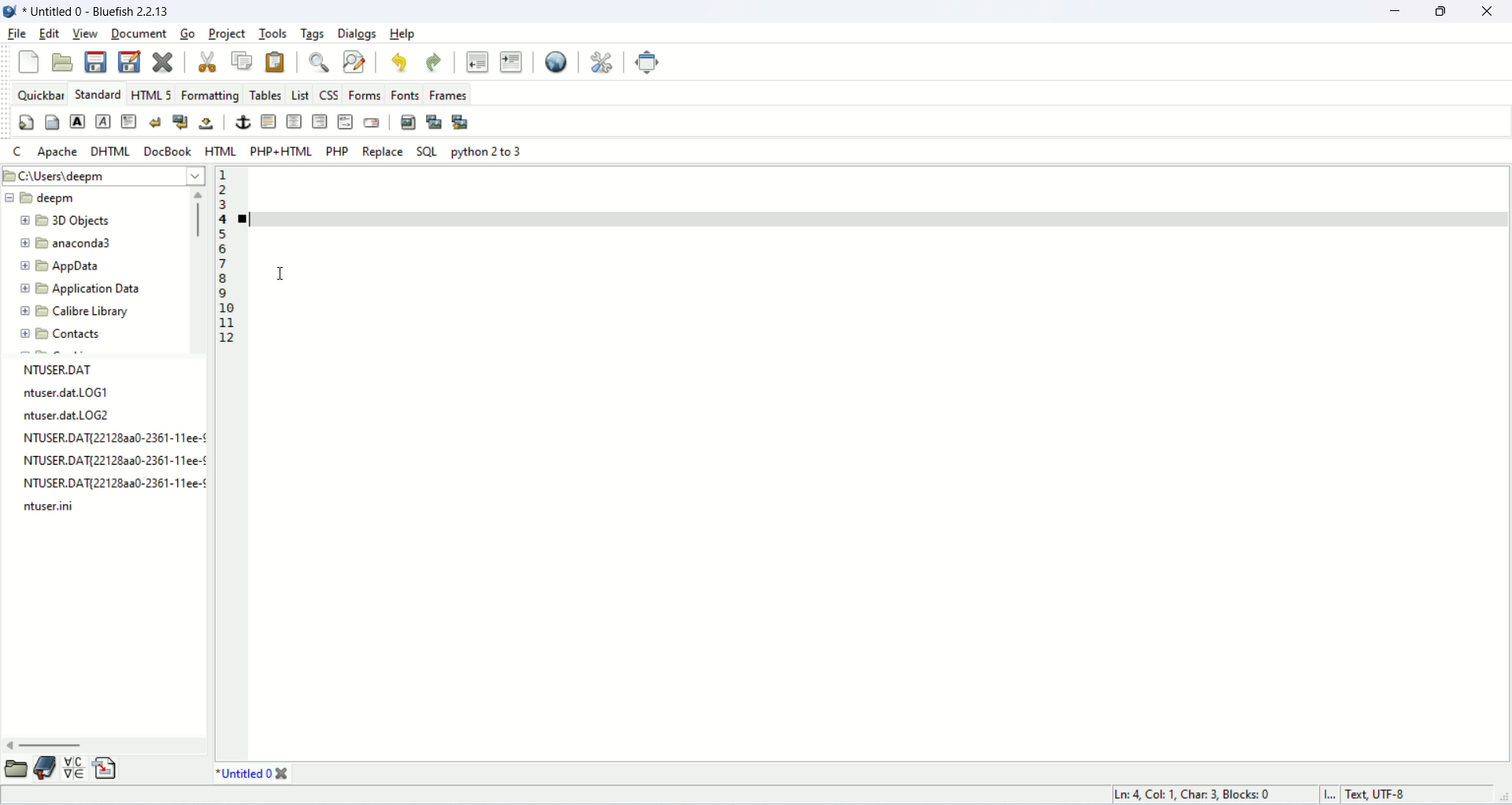  Describe the element at coordinates (76, 770) in the screenshot. I see `char map` at that location.